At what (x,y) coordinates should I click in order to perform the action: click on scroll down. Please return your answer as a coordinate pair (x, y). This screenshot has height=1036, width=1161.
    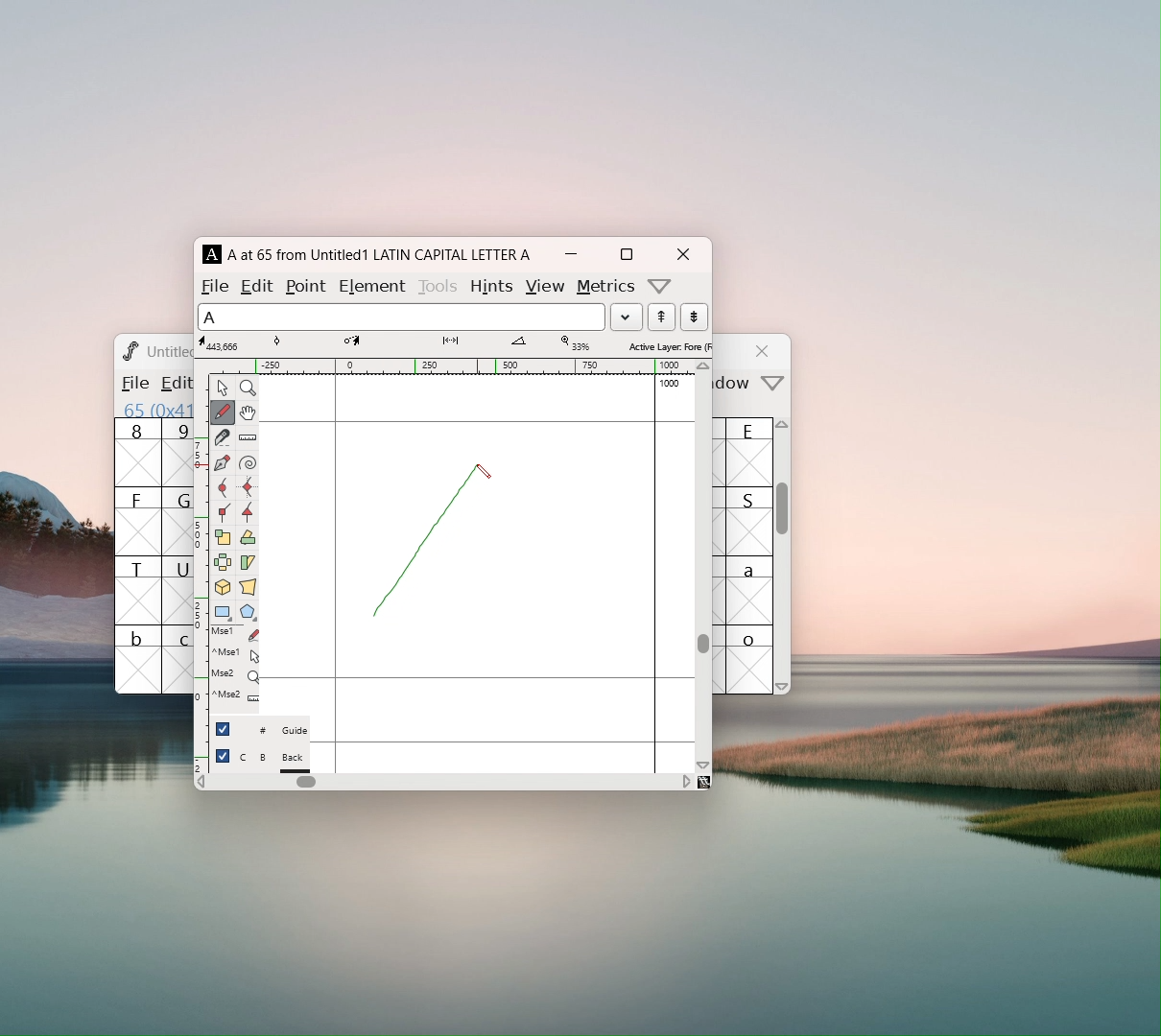
    Looking at the image, I should click on (783, 686).